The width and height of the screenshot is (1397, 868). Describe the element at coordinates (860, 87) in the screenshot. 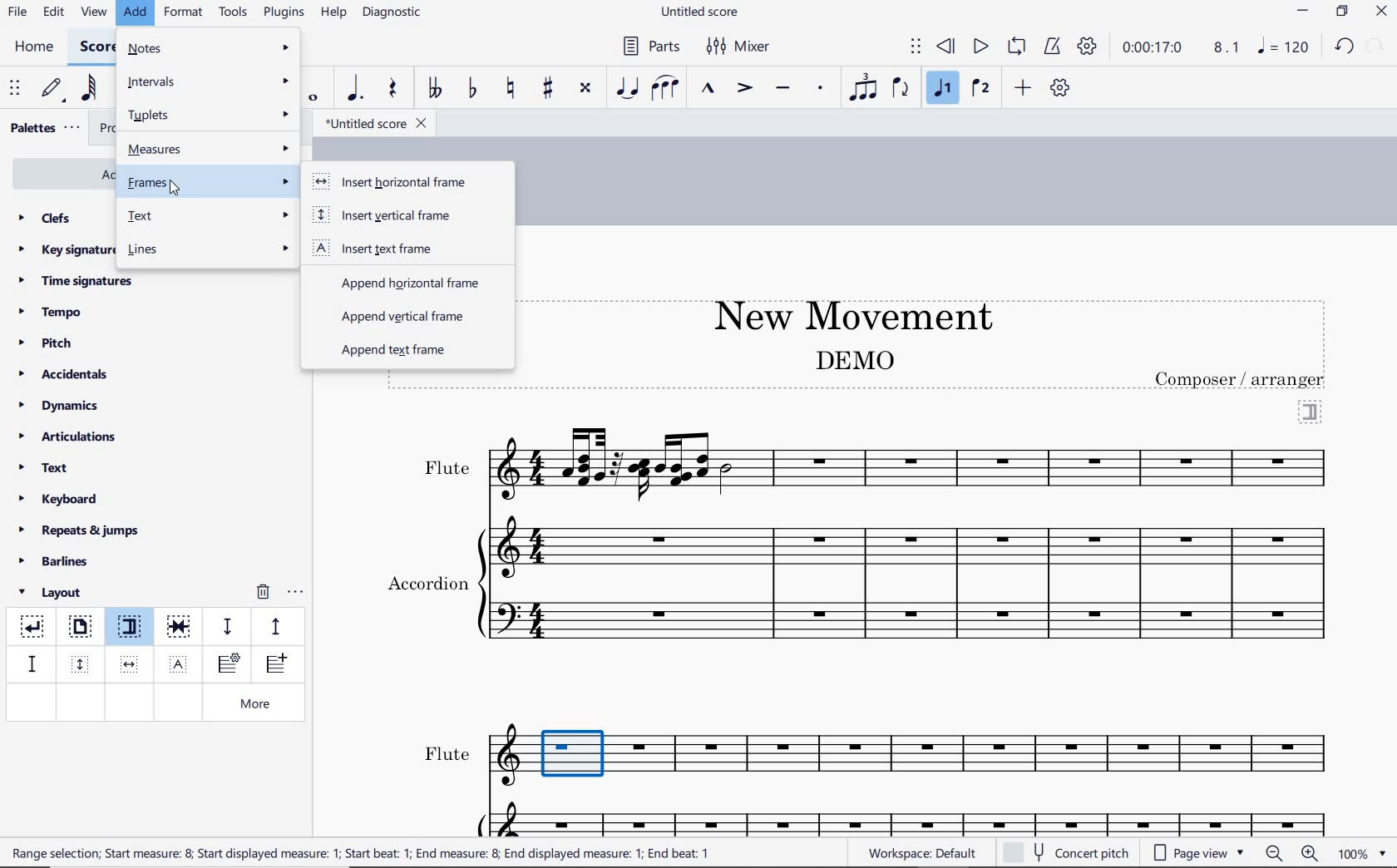

I see `tuplet` at that location.